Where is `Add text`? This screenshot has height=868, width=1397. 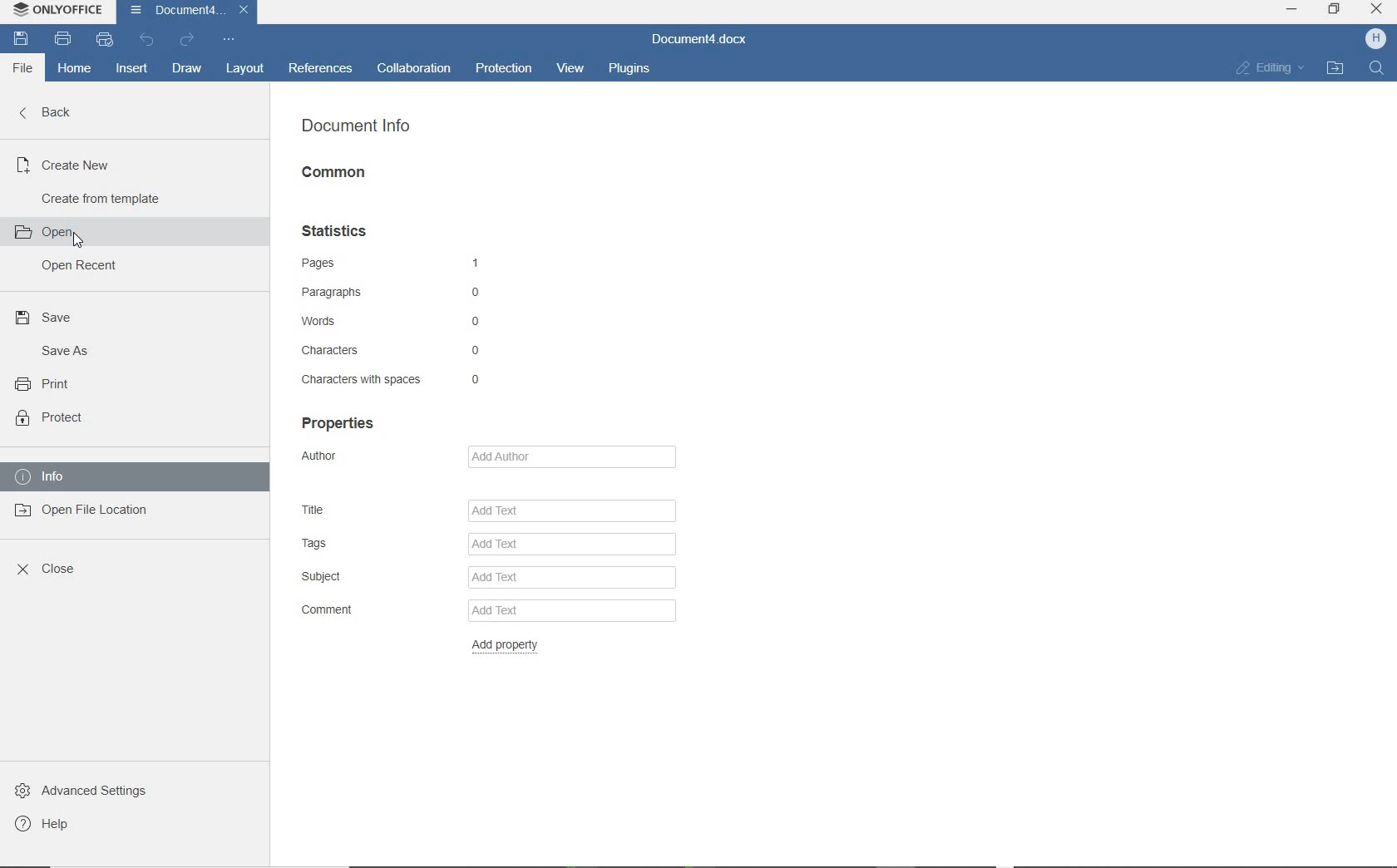
Add text is located at coordinates (564, 611).